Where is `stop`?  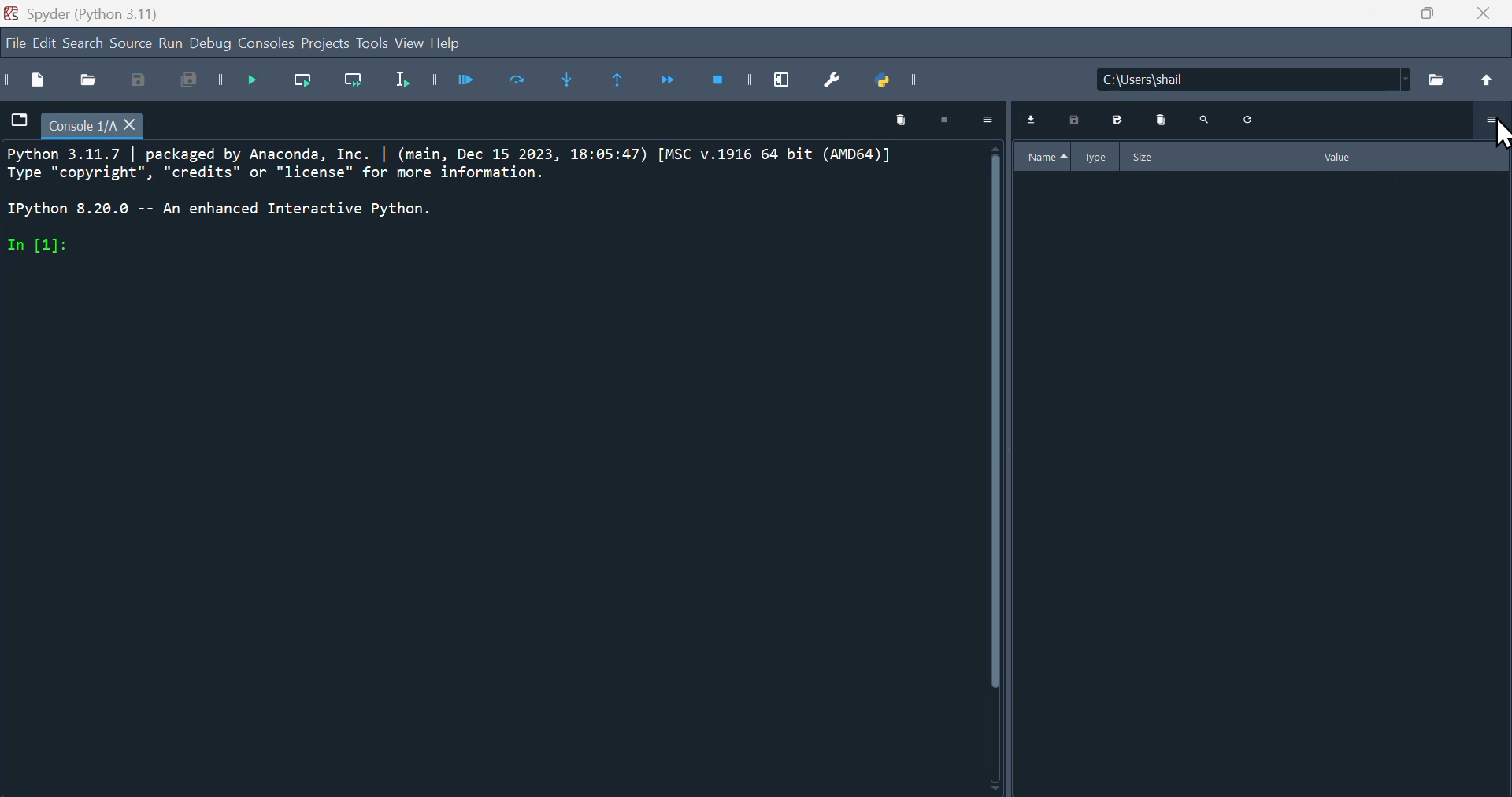 stop is located at coordinates (949, 120).